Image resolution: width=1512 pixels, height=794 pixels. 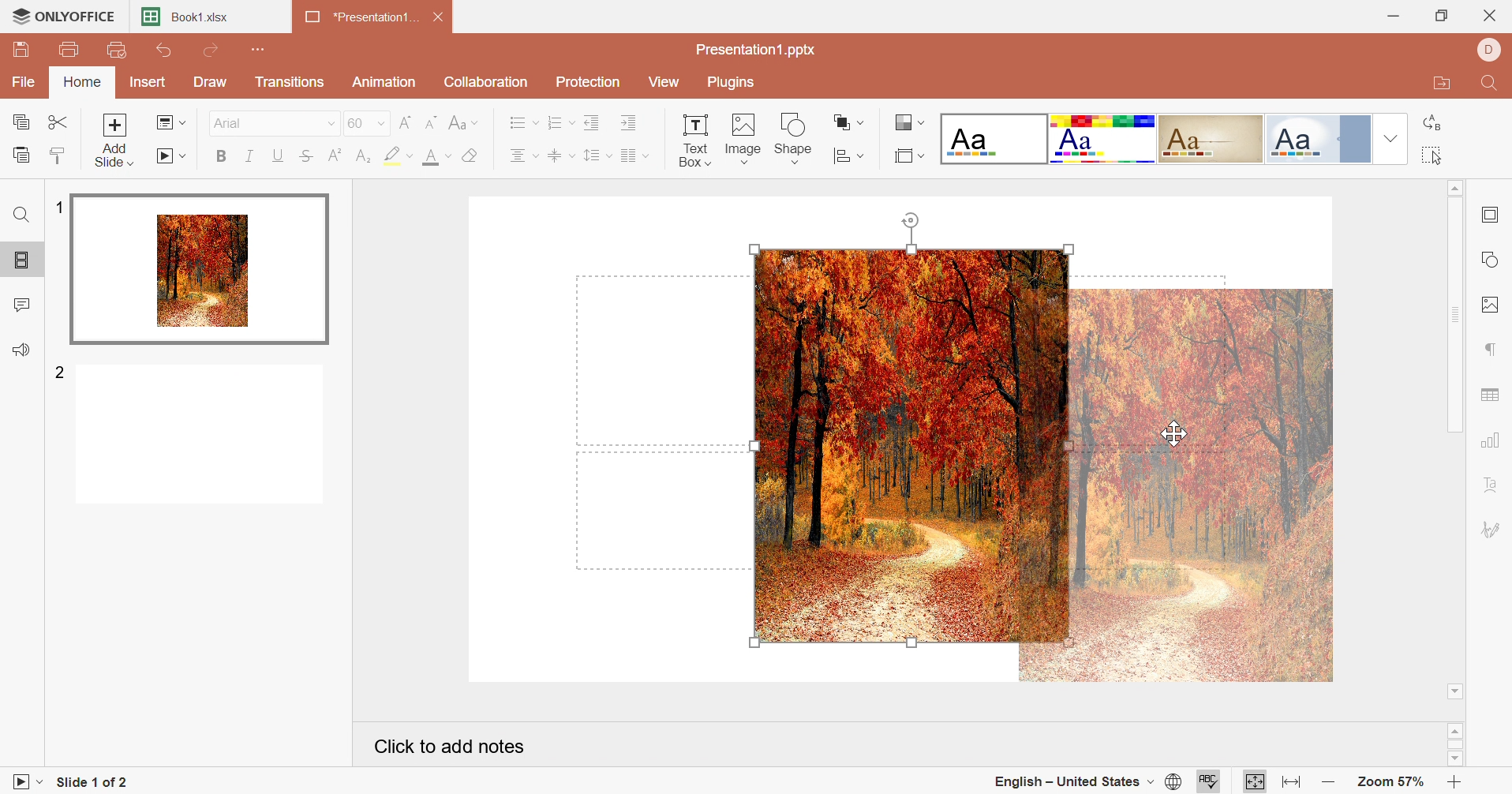 What do you see at coordinates (213, 51) in the screenshot?
I see `Redo` at bounding box center [213, 51].